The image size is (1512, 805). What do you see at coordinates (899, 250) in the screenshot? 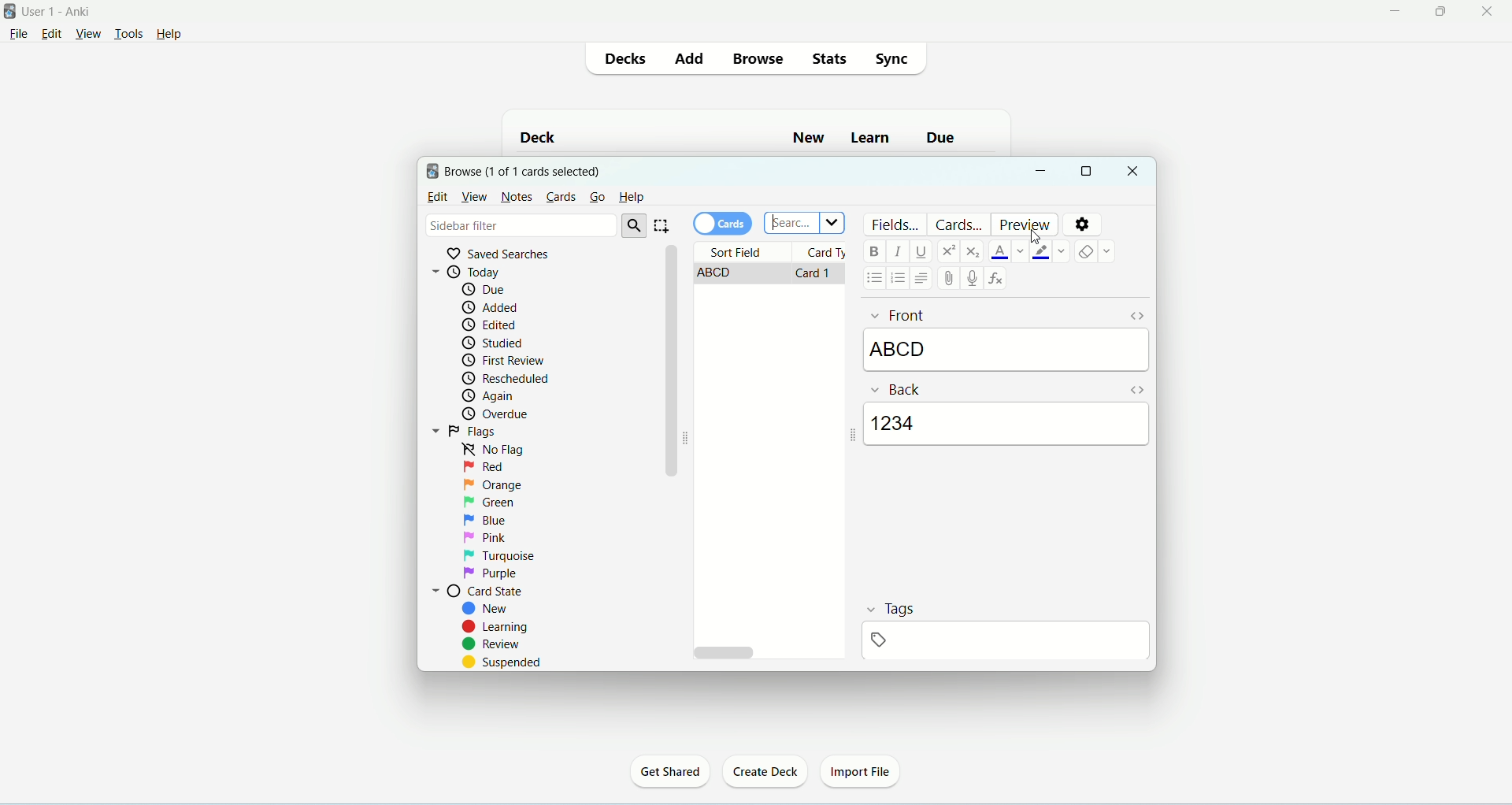
I see `italics` at bounding box center [899, 250].